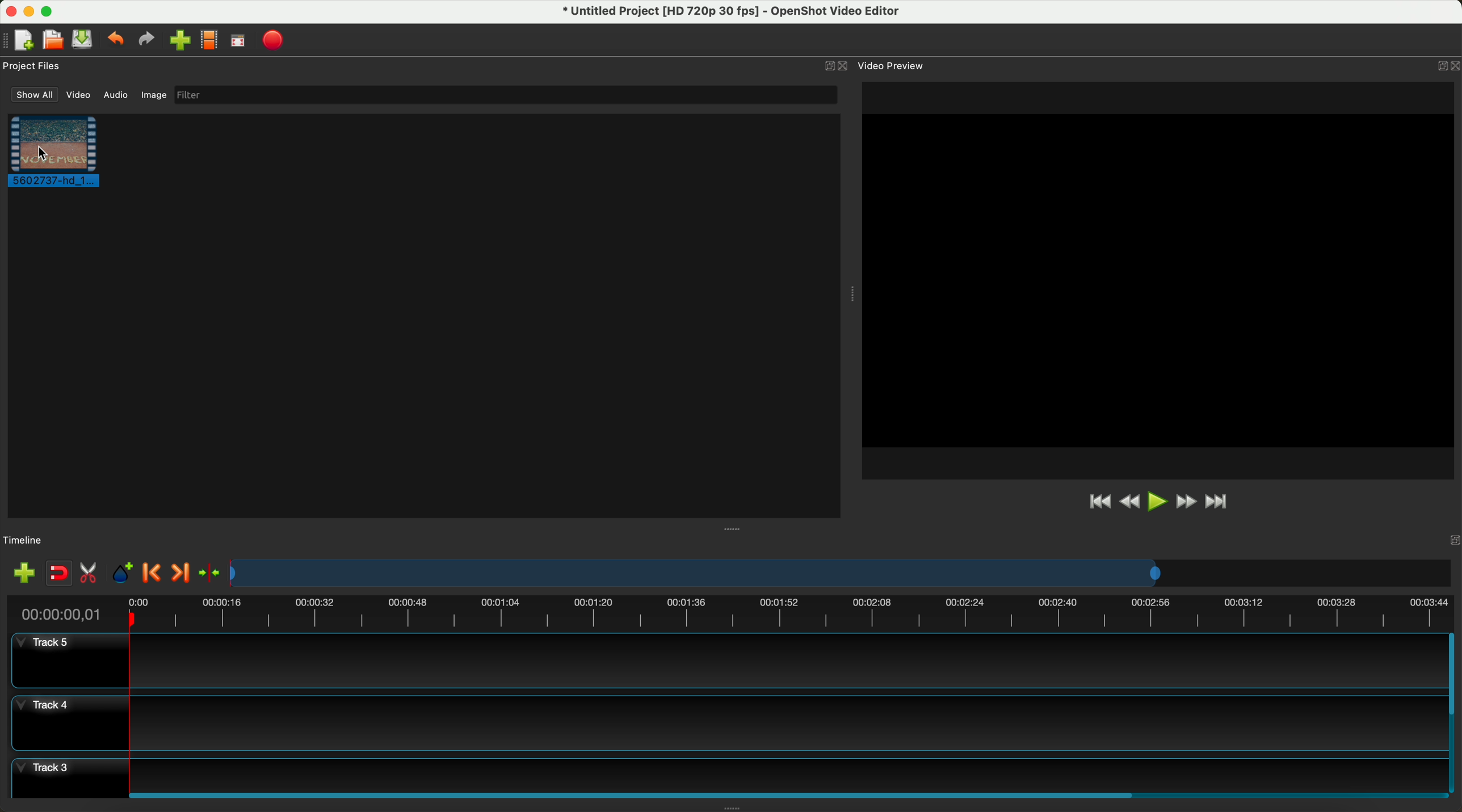 Image resolution: width=1462 pixels, height=812 pixels. I want to click on filter, so click(505, 95).